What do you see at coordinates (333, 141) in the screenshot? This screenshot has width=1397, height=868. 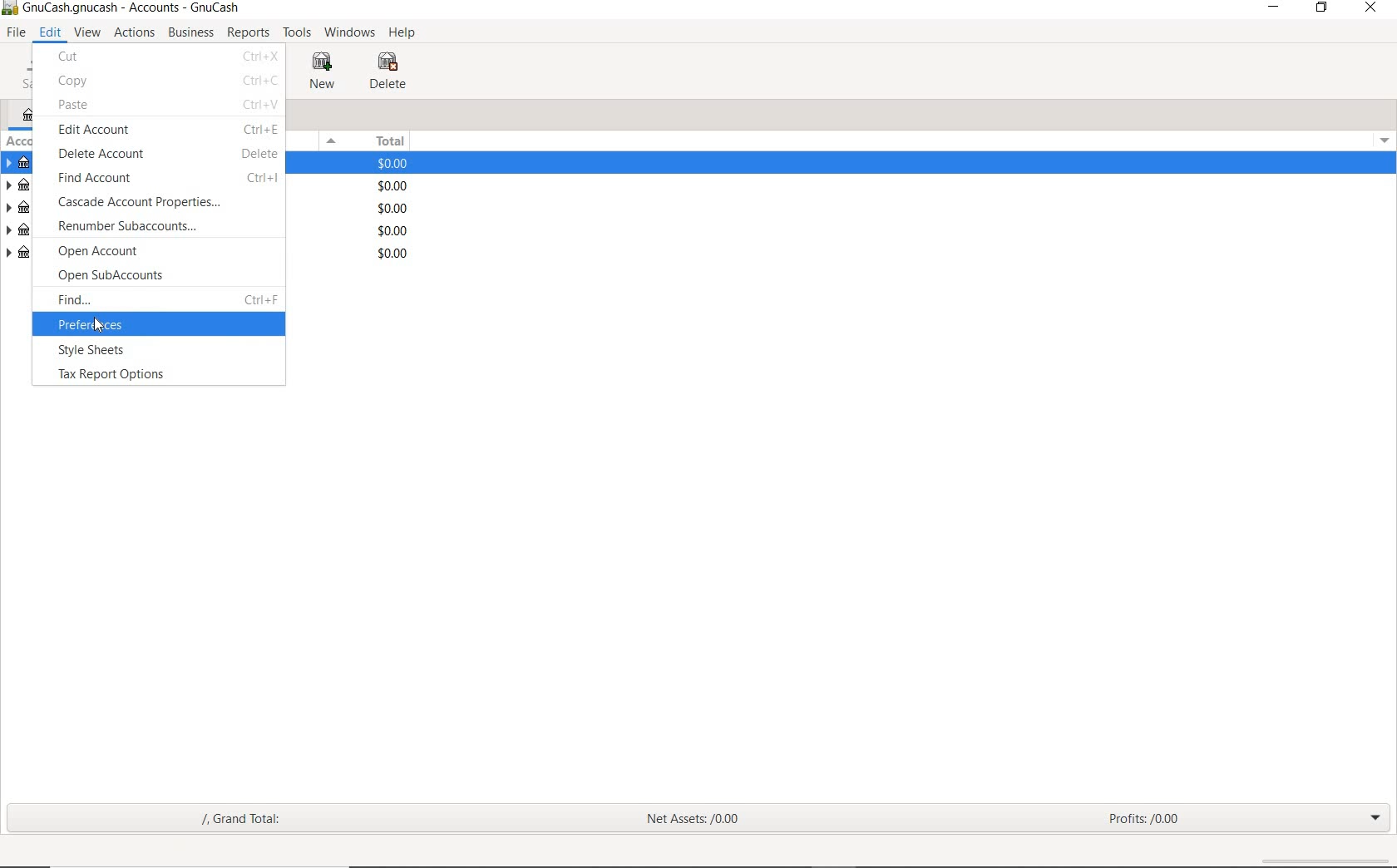 I see `Menu` at bounding box center [333, 141].